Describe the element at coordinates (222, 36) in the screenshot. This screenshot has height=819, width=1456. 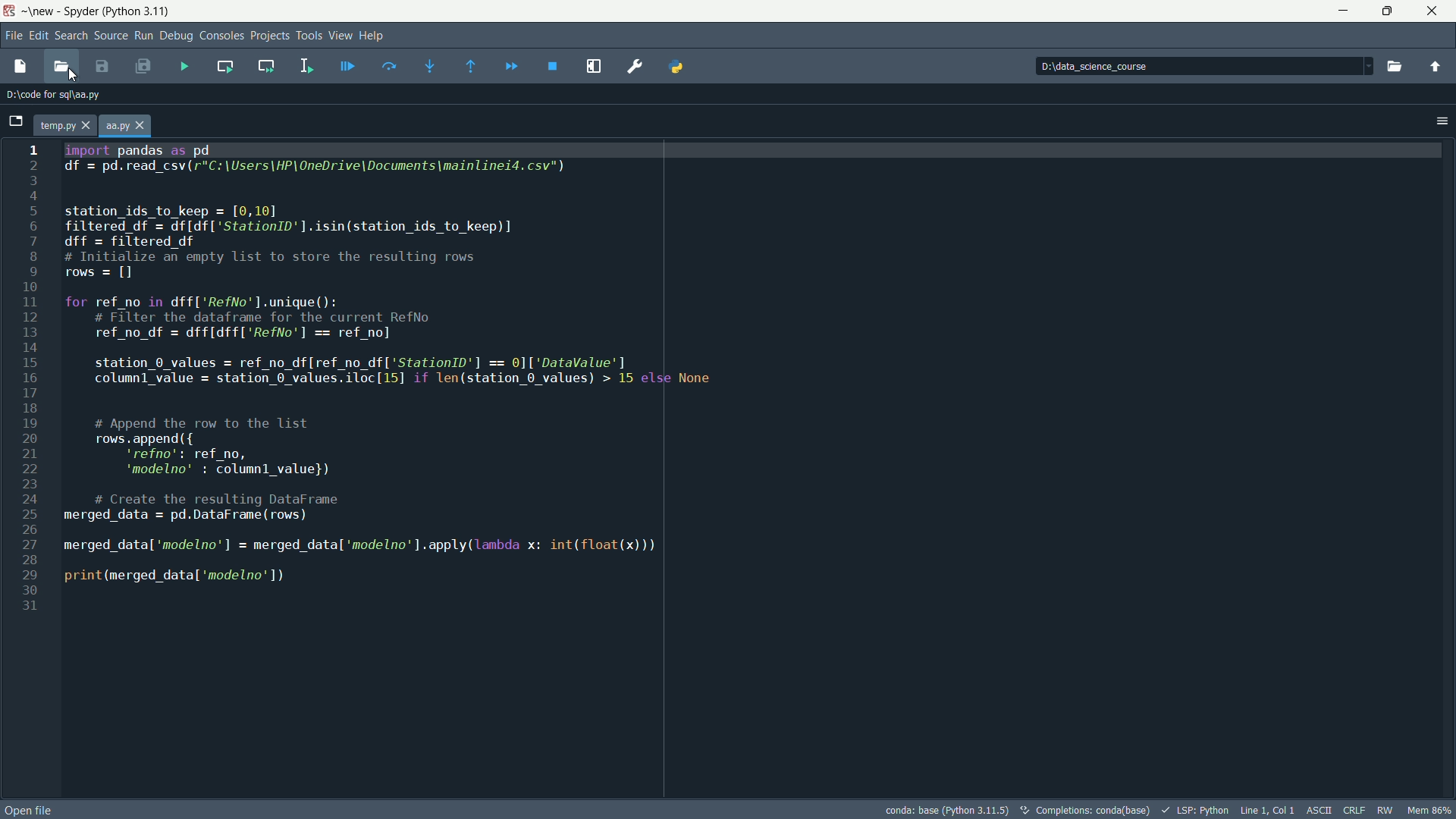
I see `Consoles menu` at that location.